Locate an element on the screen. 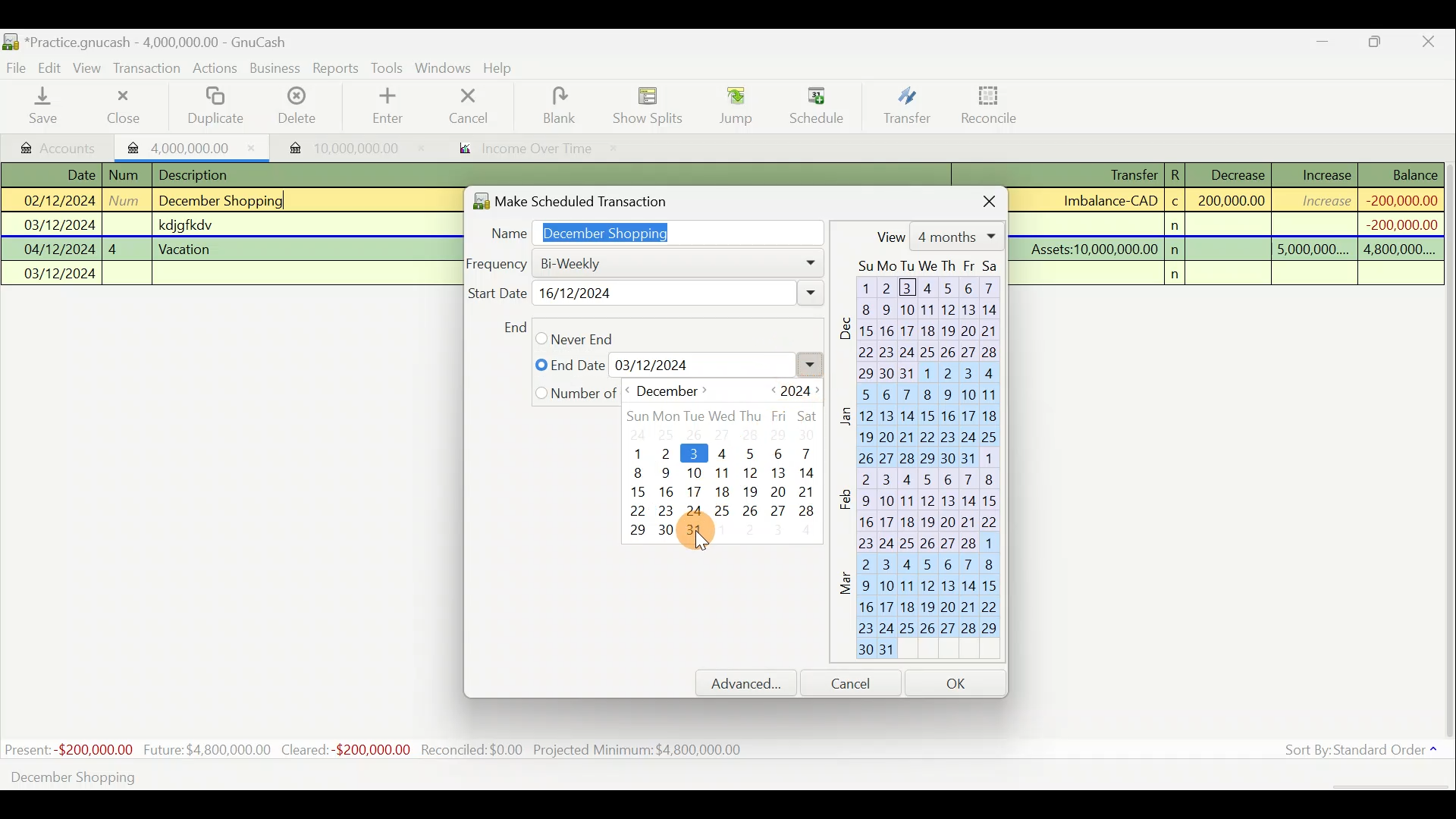  Tools is located at coordinates (389, 68).